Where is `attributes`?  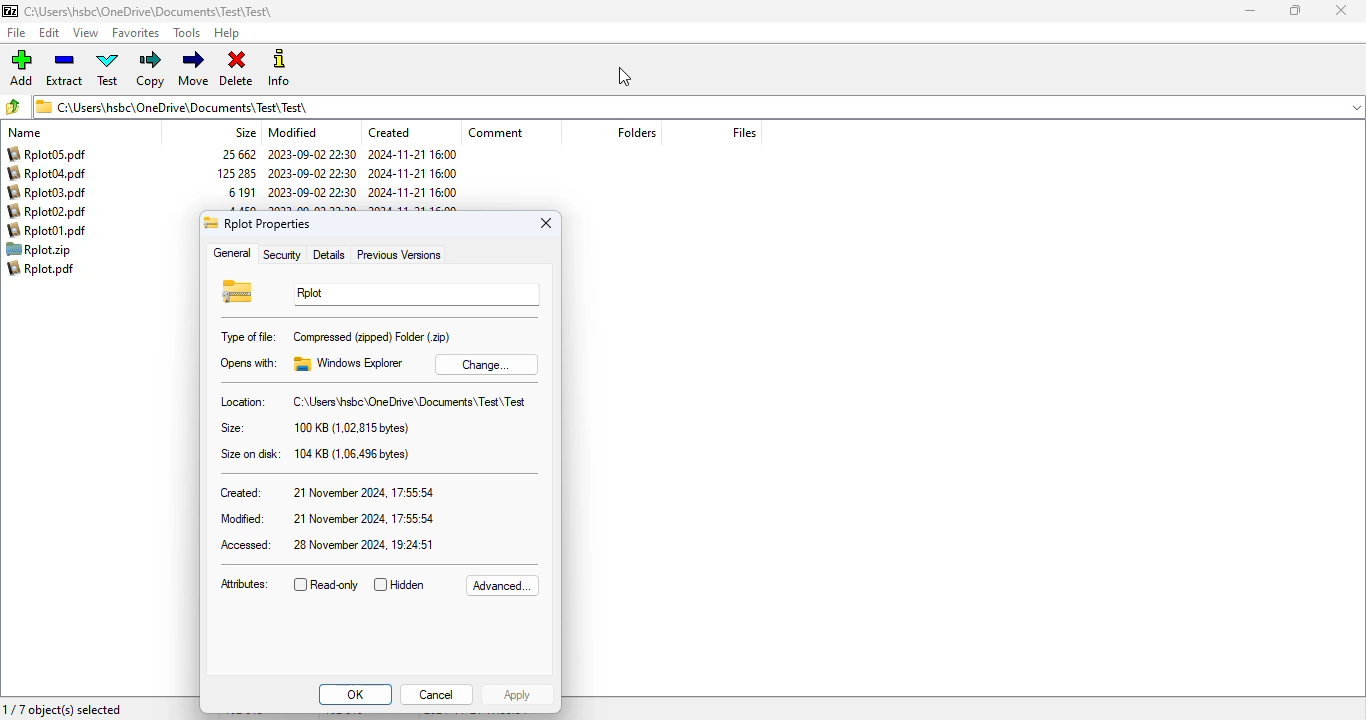 attributes is located at coordinates (245, 585).